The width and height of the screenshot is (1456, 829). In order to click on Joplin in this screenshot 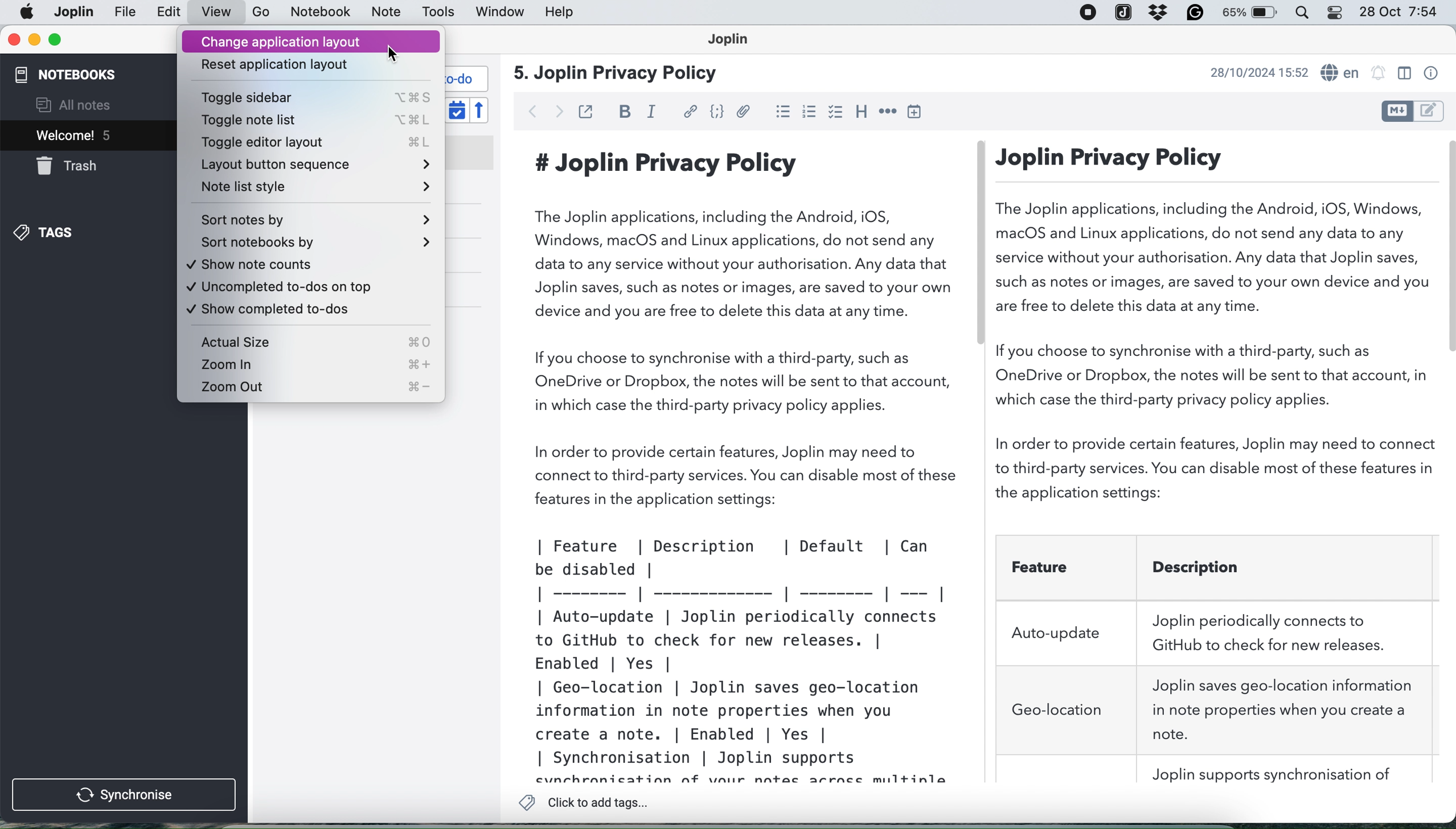, I will do `click(735, 41)`.